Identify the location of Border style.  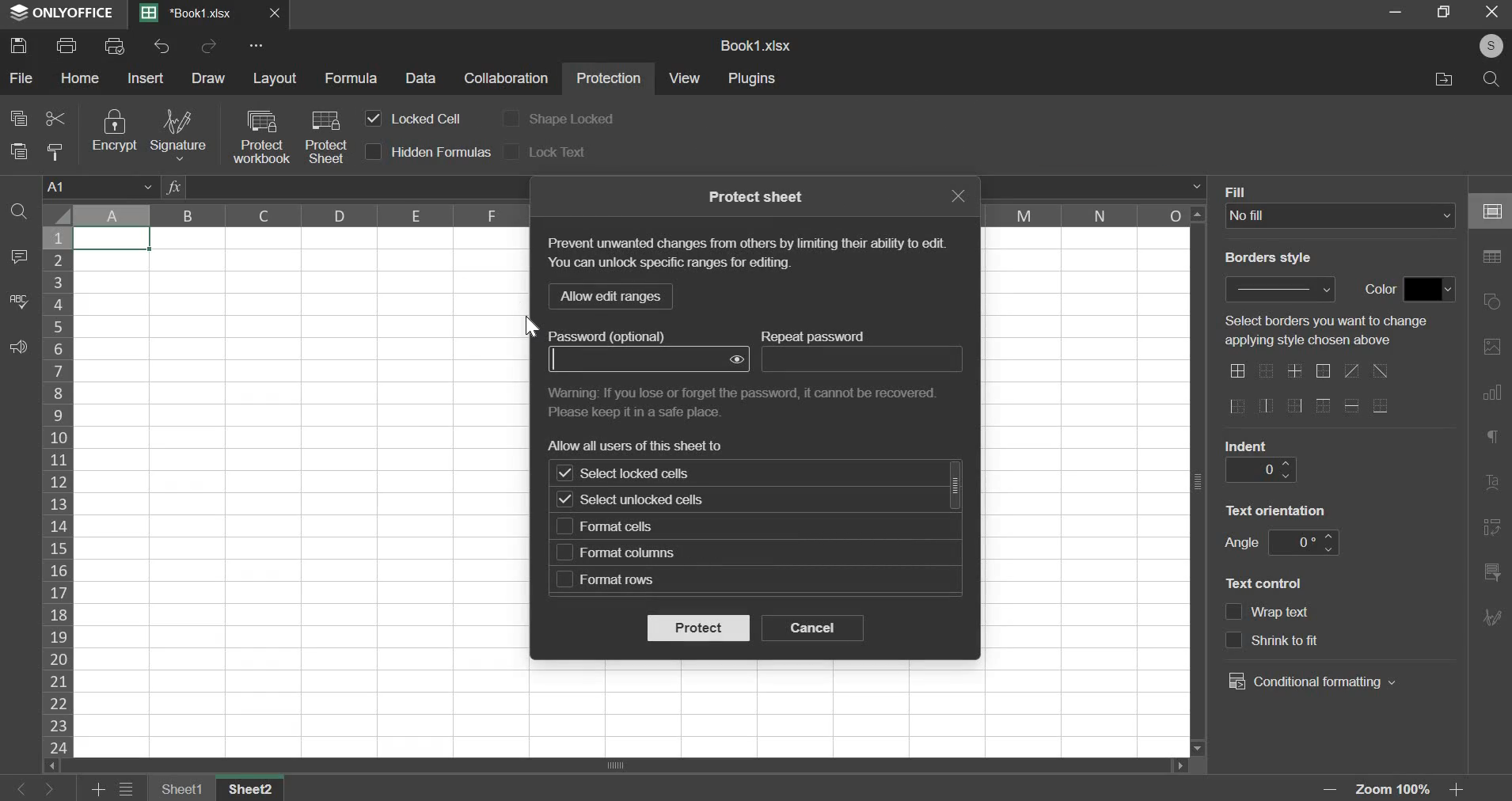
(1276, 261).